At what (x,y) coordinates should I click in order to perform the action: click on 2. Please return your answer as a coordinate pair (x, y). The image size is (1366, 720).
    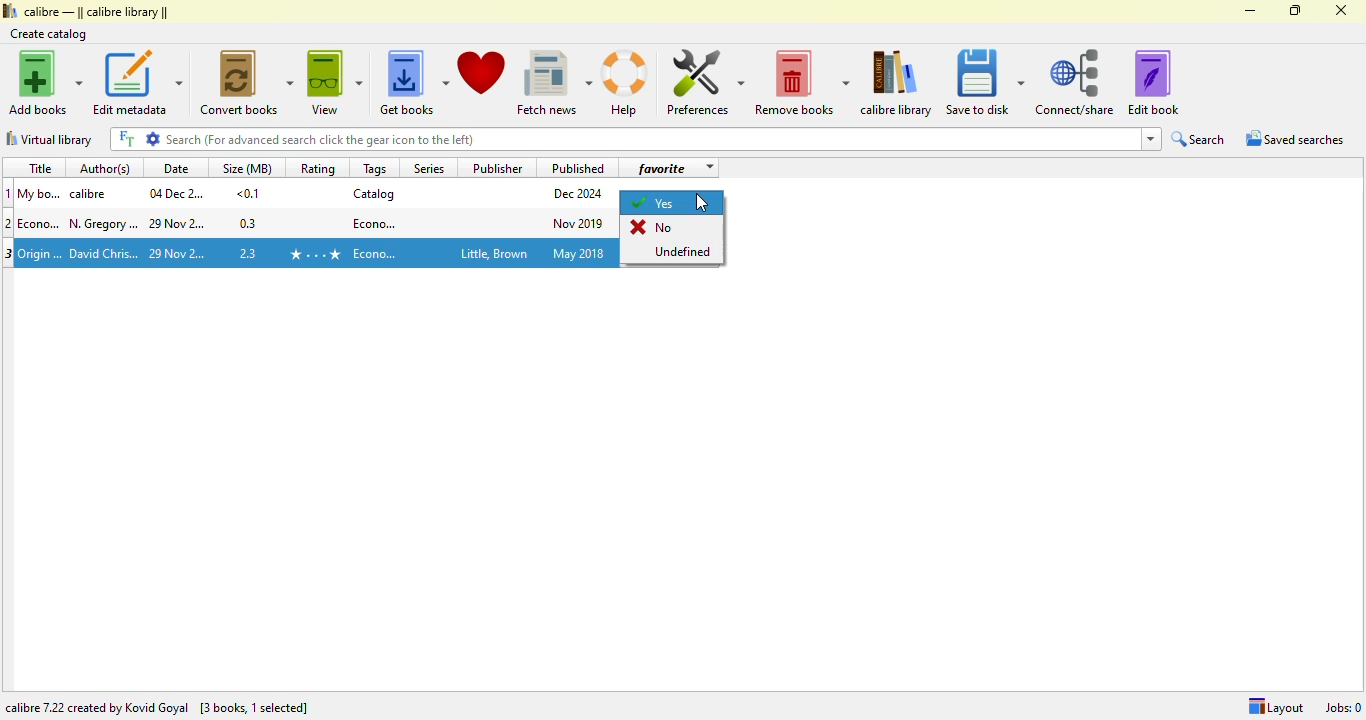
    Looking at the image, I should click on (9, 223).